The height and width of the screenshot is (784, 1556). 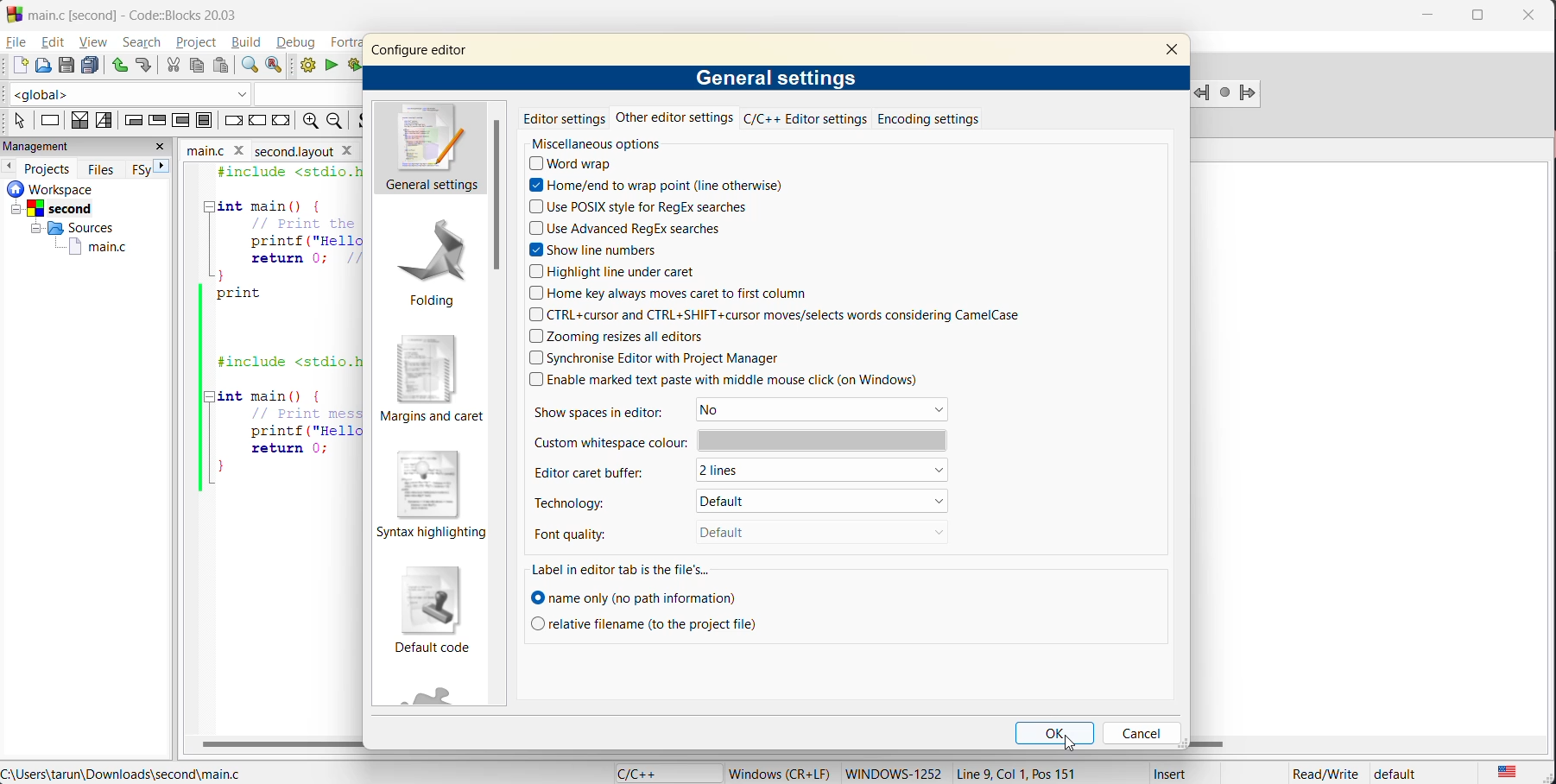 What do you see at coordinates (163, 165) in the screenshot?
I see `next` at bounding box center [163, 165].